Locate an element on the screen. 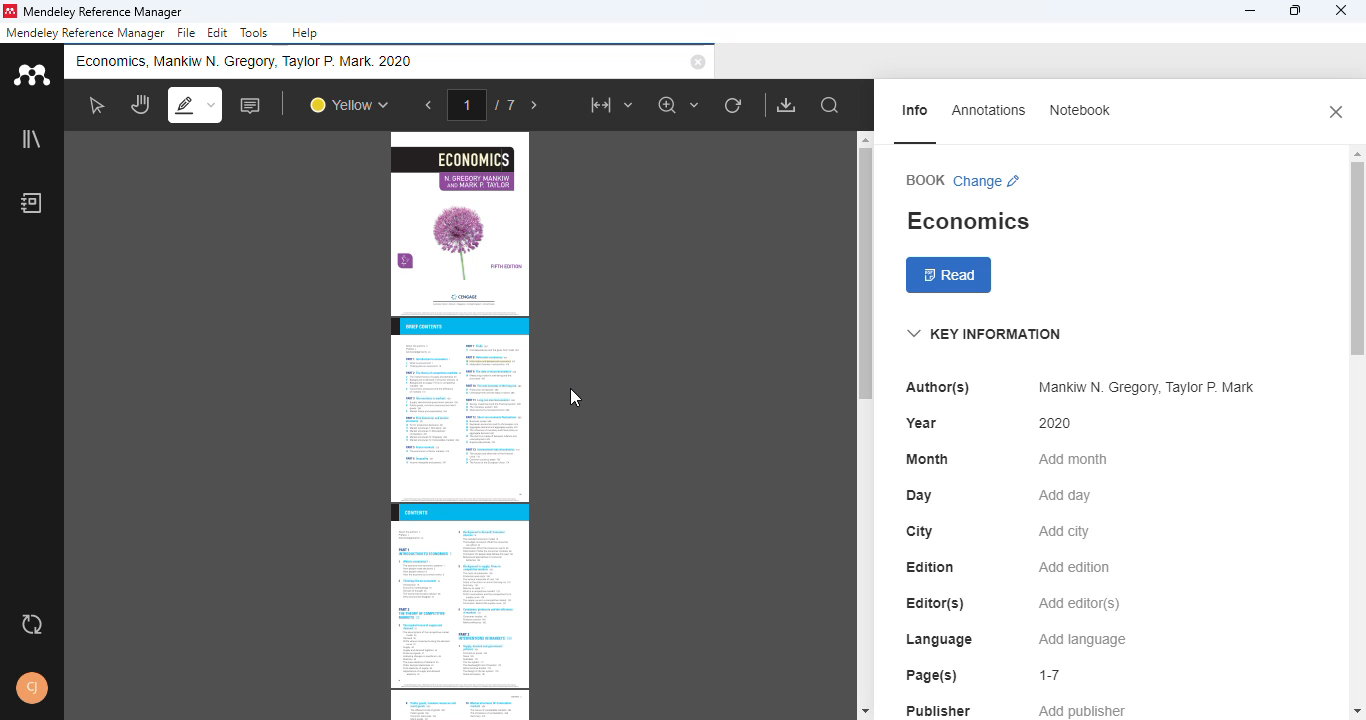 The width and height of the screenshot is (1366, 720). vertical scroll bar is located at coordinates (1357, 238).